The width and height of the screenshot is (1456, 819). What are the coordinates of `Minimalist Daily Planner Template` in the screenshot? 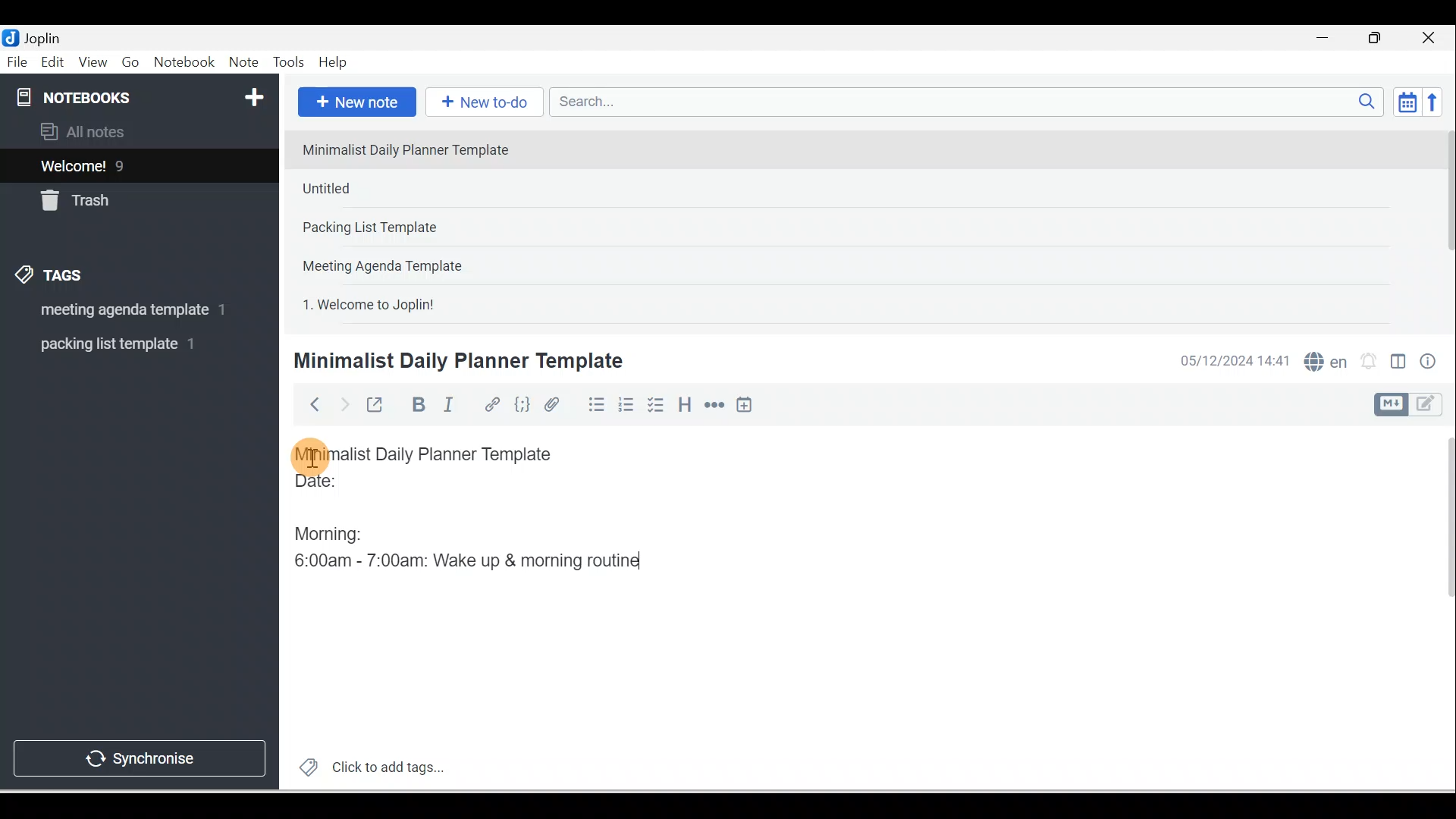 It's located at (438, 454).